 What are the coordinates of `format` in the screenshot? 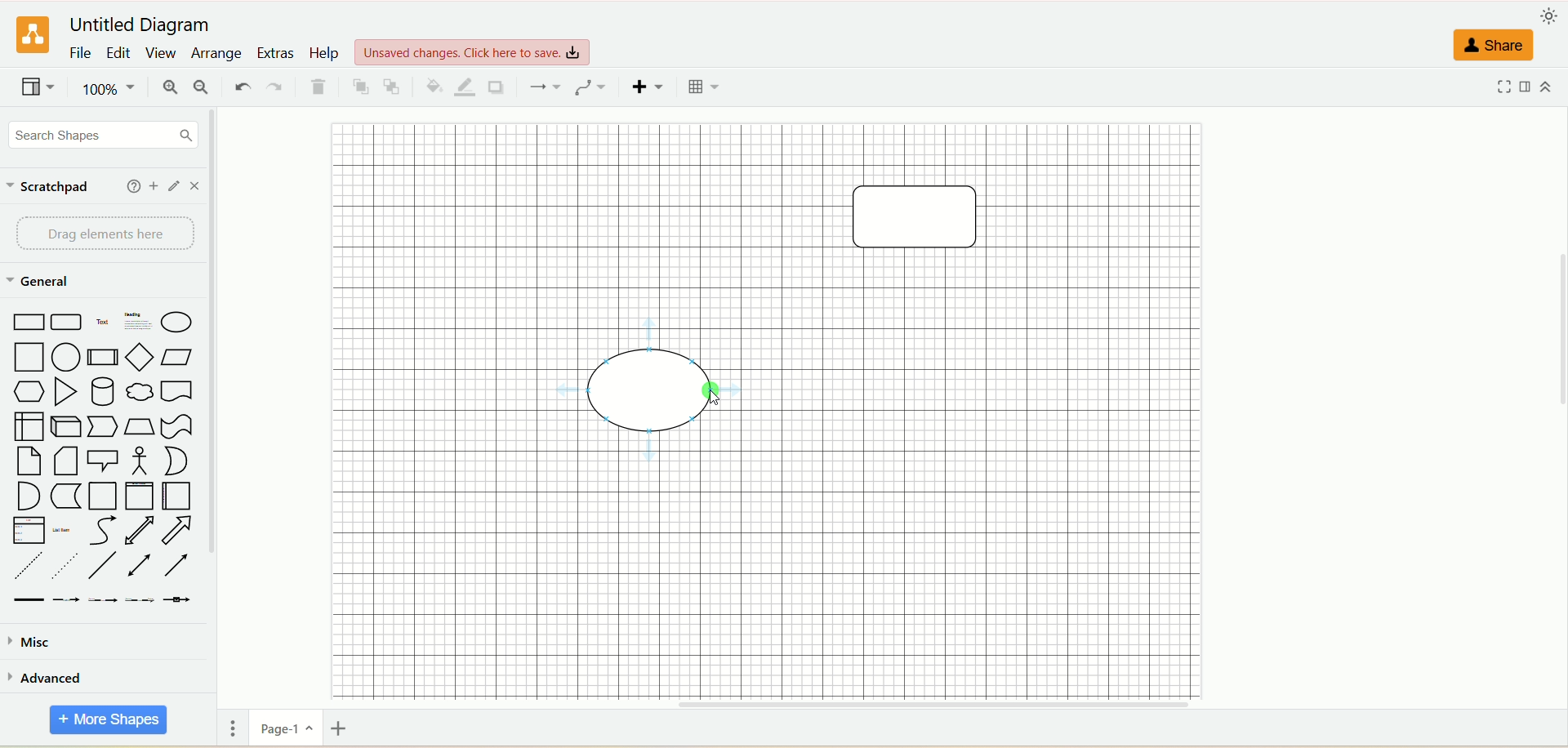 It's located at (1527, 87).